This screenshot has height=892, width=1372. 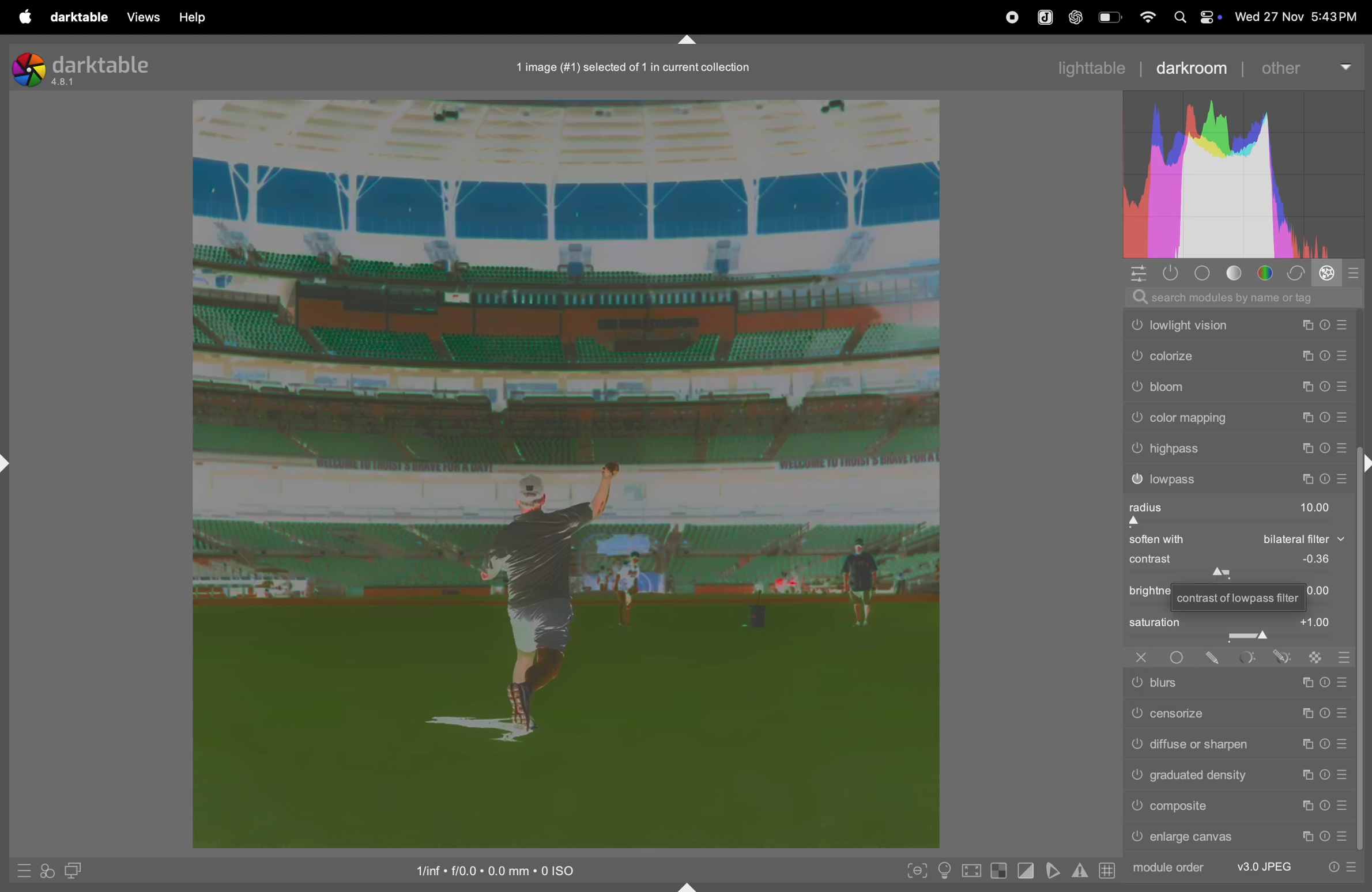 I want to click on shift+ctrl+r, so click(x=1363, y=466).